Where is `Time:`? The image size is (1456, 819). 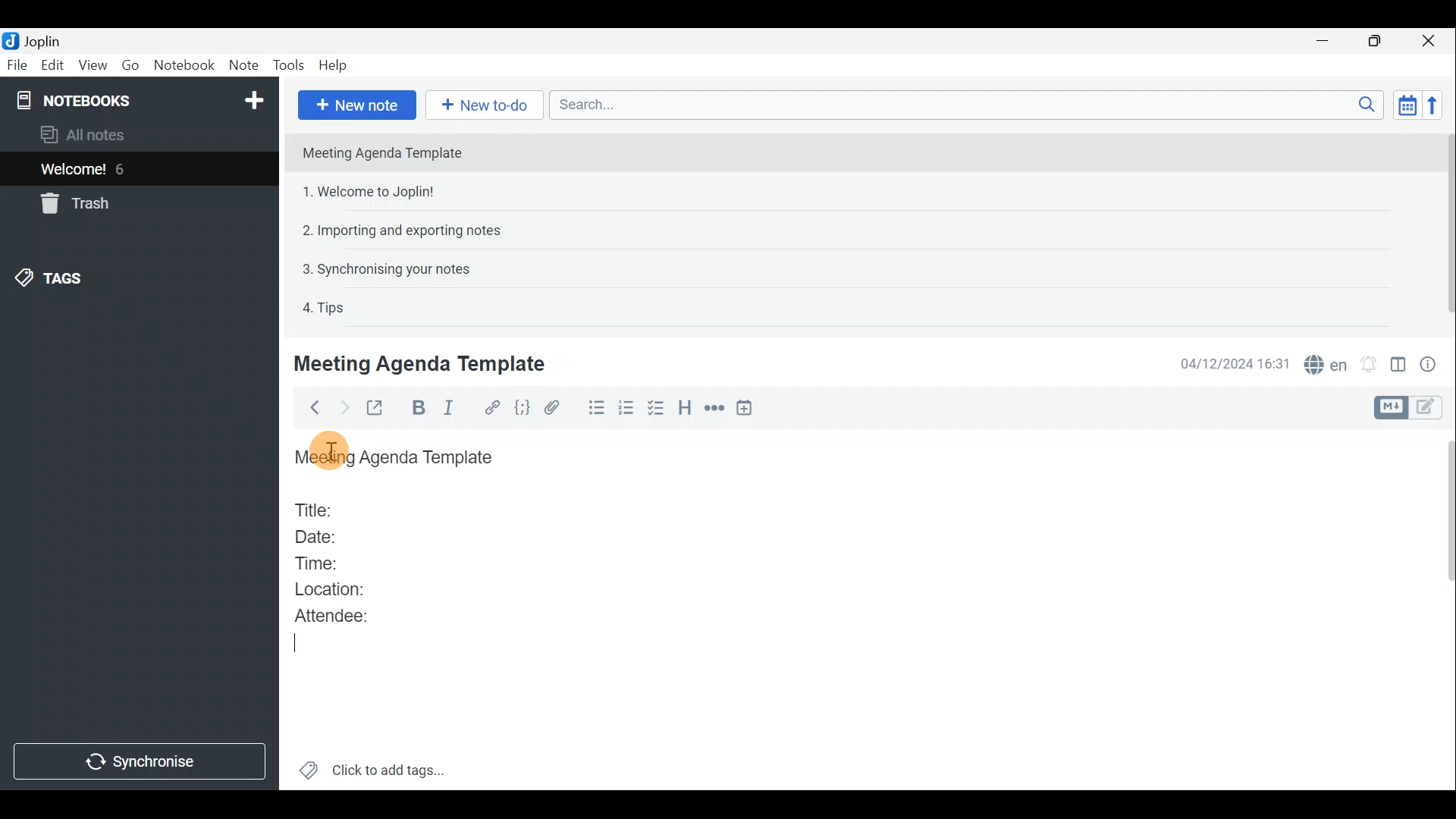 Time: is located at coordinates (317, 560).